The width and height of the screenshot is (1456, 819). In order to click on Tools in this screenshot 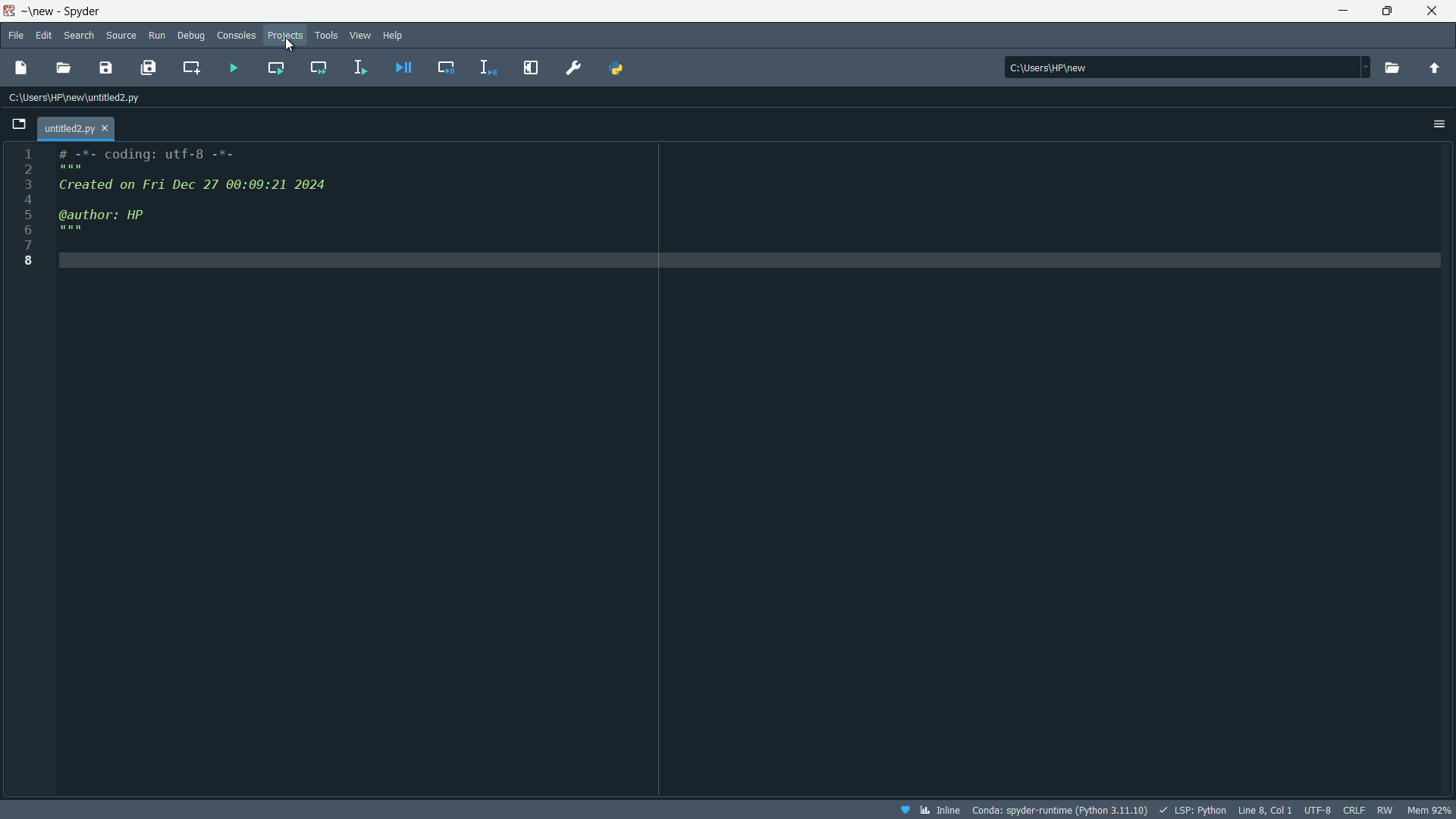, I will do `click(325, 35)`.